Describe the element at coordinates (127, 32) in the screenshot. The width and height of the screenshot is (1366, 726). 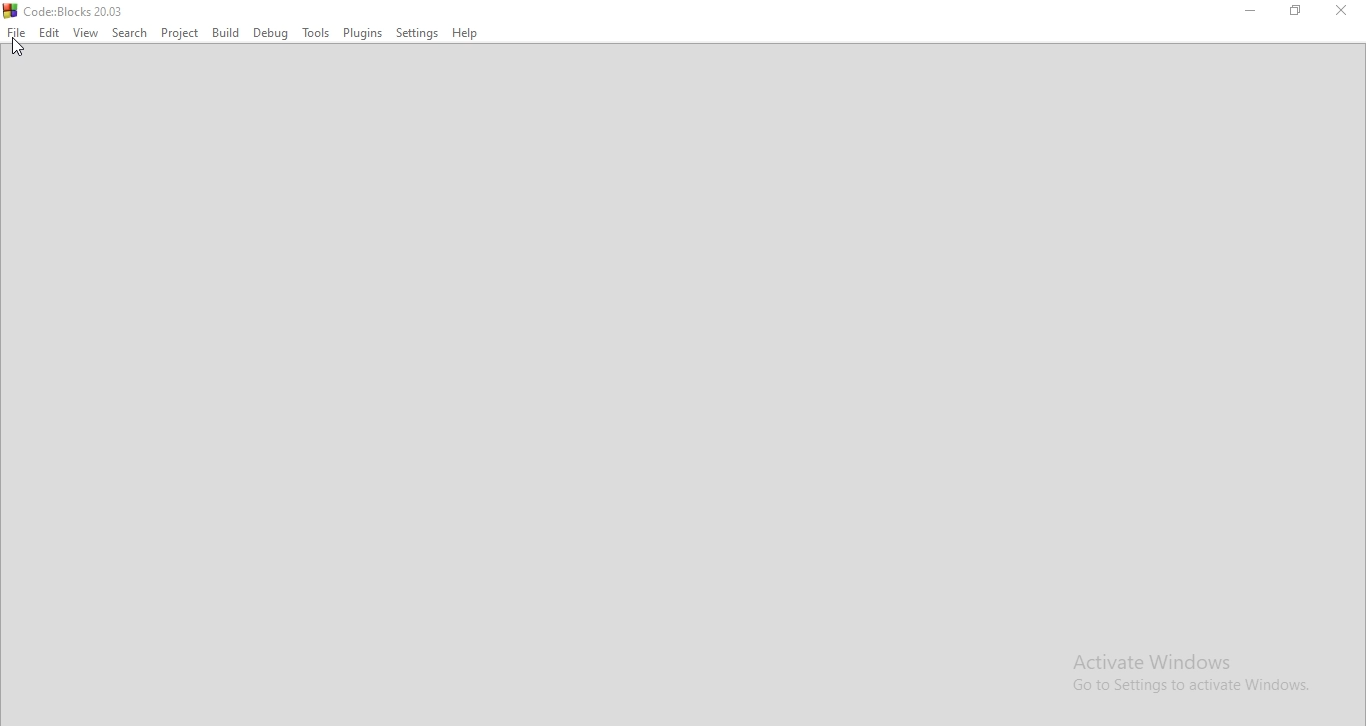
I see `Search ` at that location.